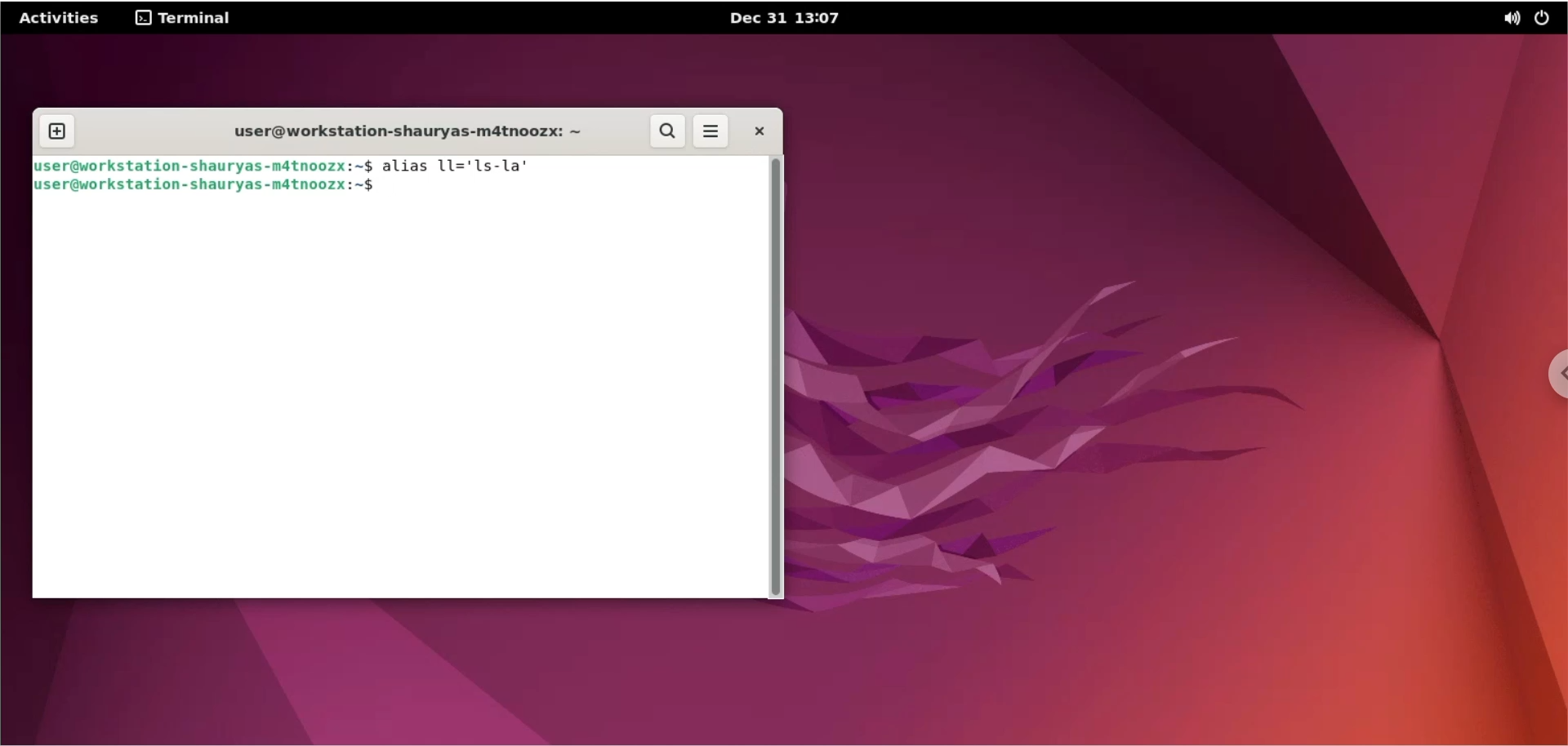  What do you see at coordinates (669, 131) in the screenshot?
I see `search` at bounding box center [669, 131].